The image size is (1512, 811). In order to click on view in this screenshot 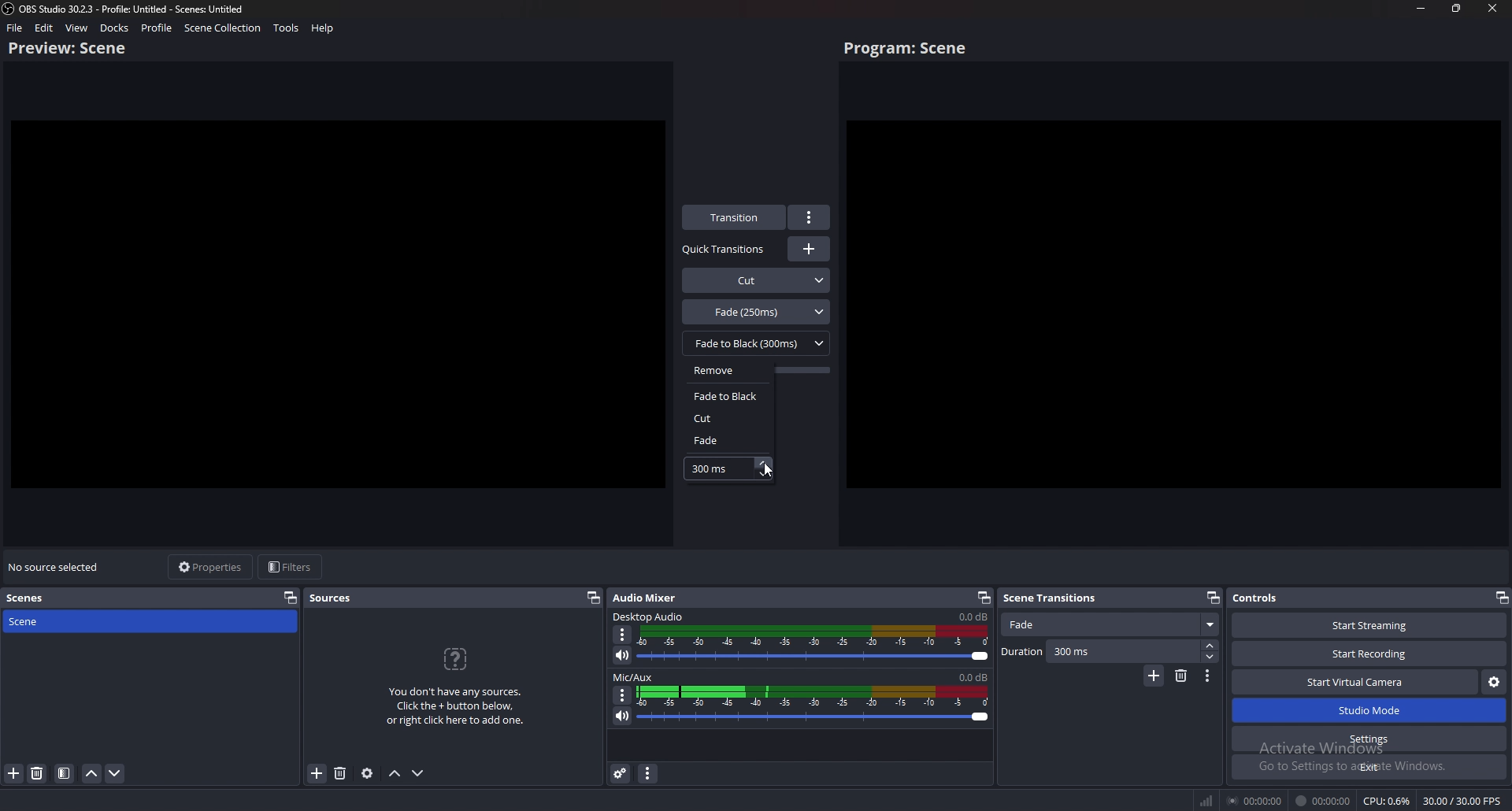, I will do `click(77, 28)`.